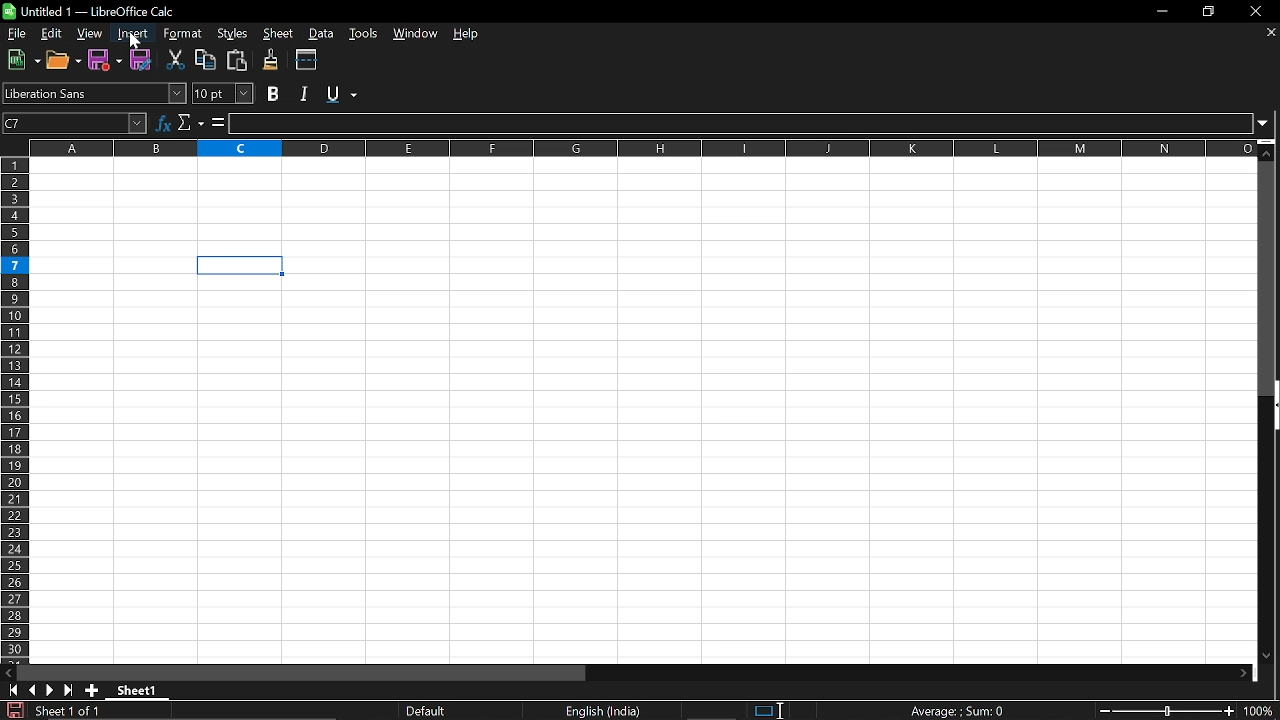  Describe the element at coordinates (66, 710) in the screenshot. I see `Current sheet` at that location.